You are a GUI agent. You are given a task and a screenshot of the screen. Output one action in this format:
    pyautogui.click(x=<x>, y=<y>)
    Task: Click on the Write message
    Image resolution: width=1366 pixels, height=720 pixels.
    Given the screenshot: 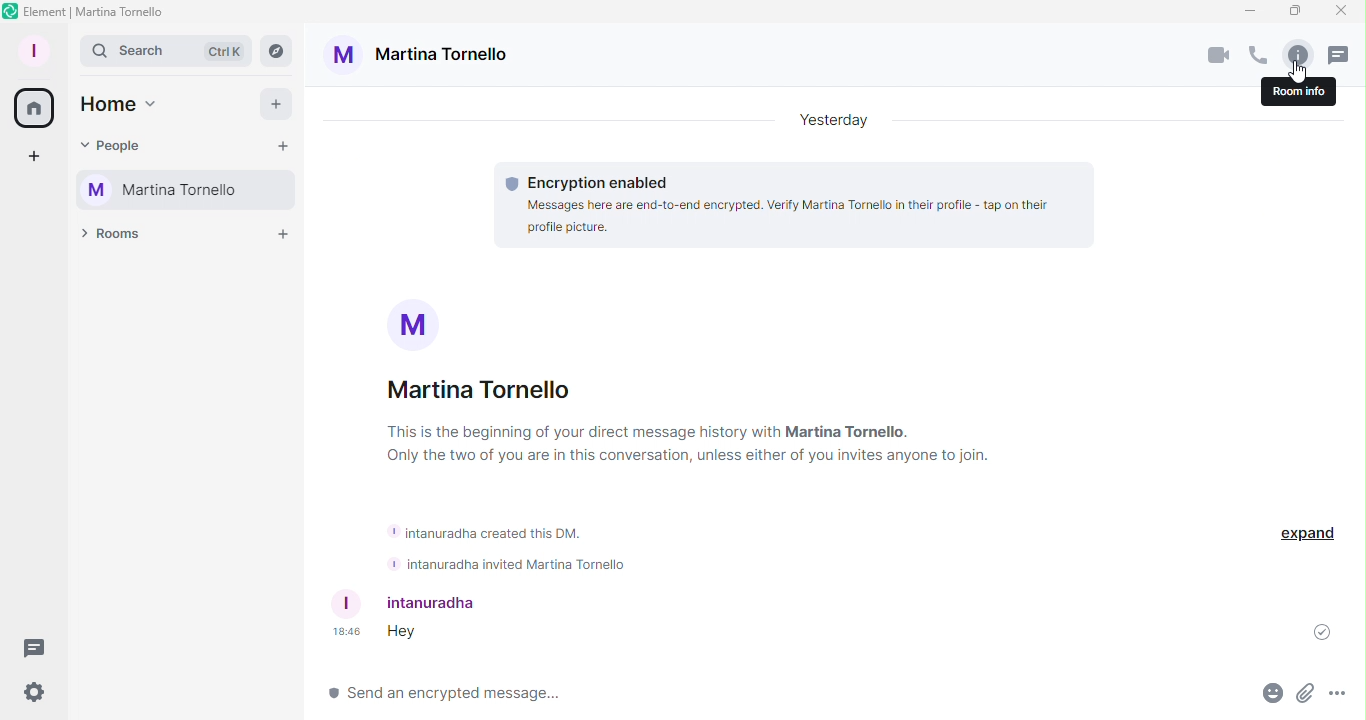 What is the action you would take?
    pyautogui.click(x=788, y=694)
    